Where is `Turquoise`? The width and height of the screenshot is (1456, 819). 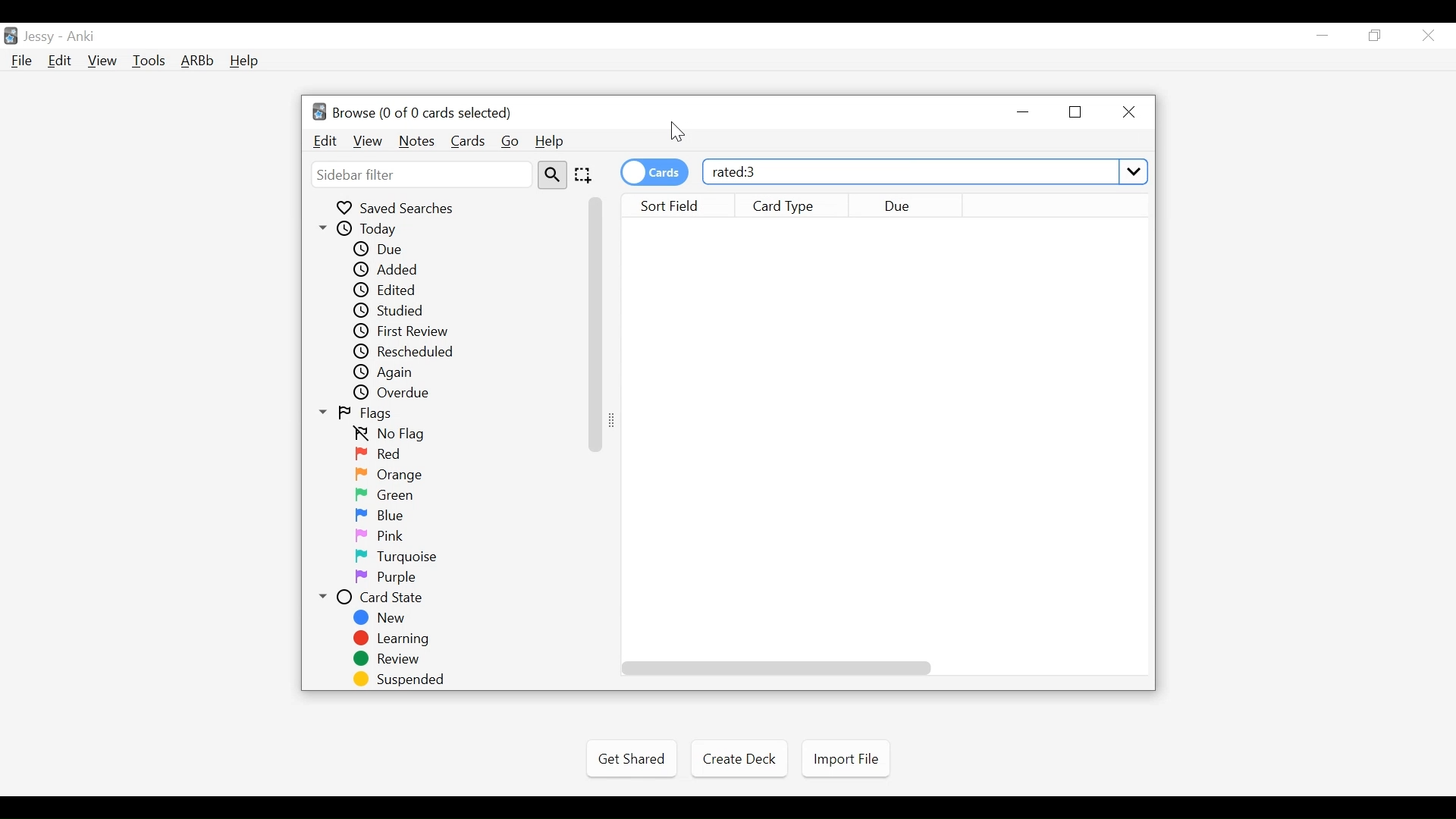
Turquoise is located at coordinates (393, 557).